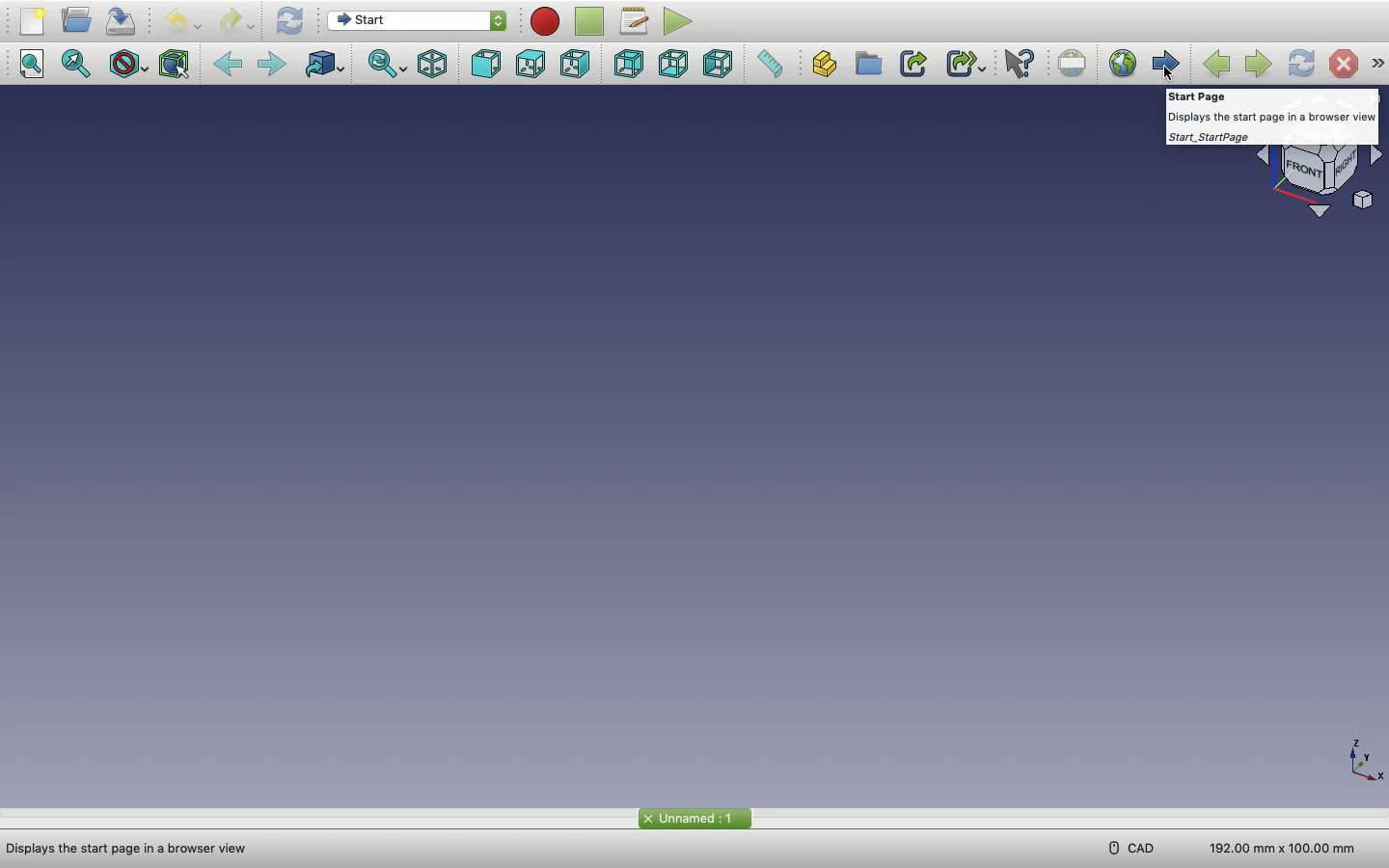 The width and height of the screenshot is (1389, 868). I want to click on Fit all, so click(37, 66).